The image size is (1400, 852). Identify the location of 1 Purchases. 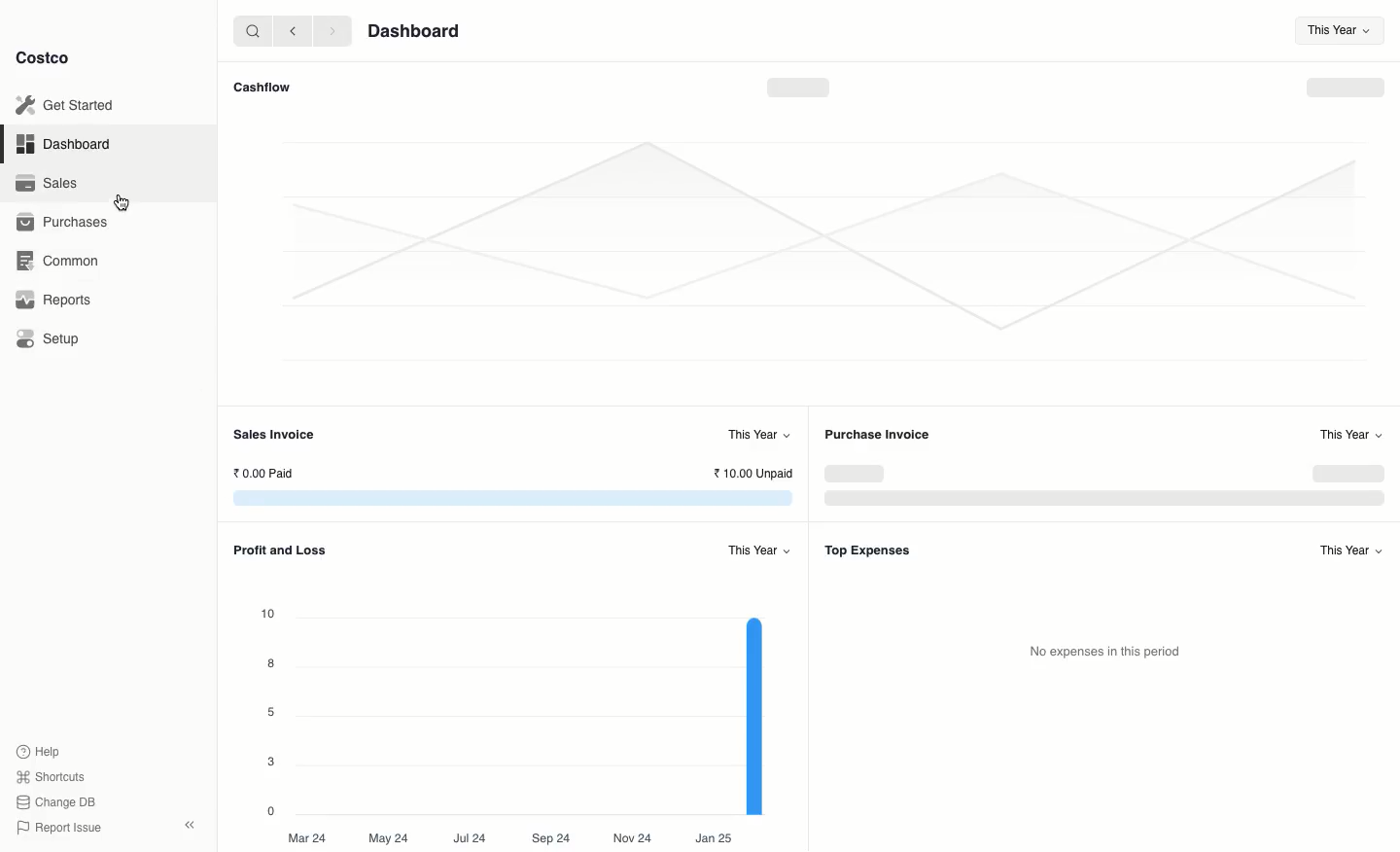
(59, 220).